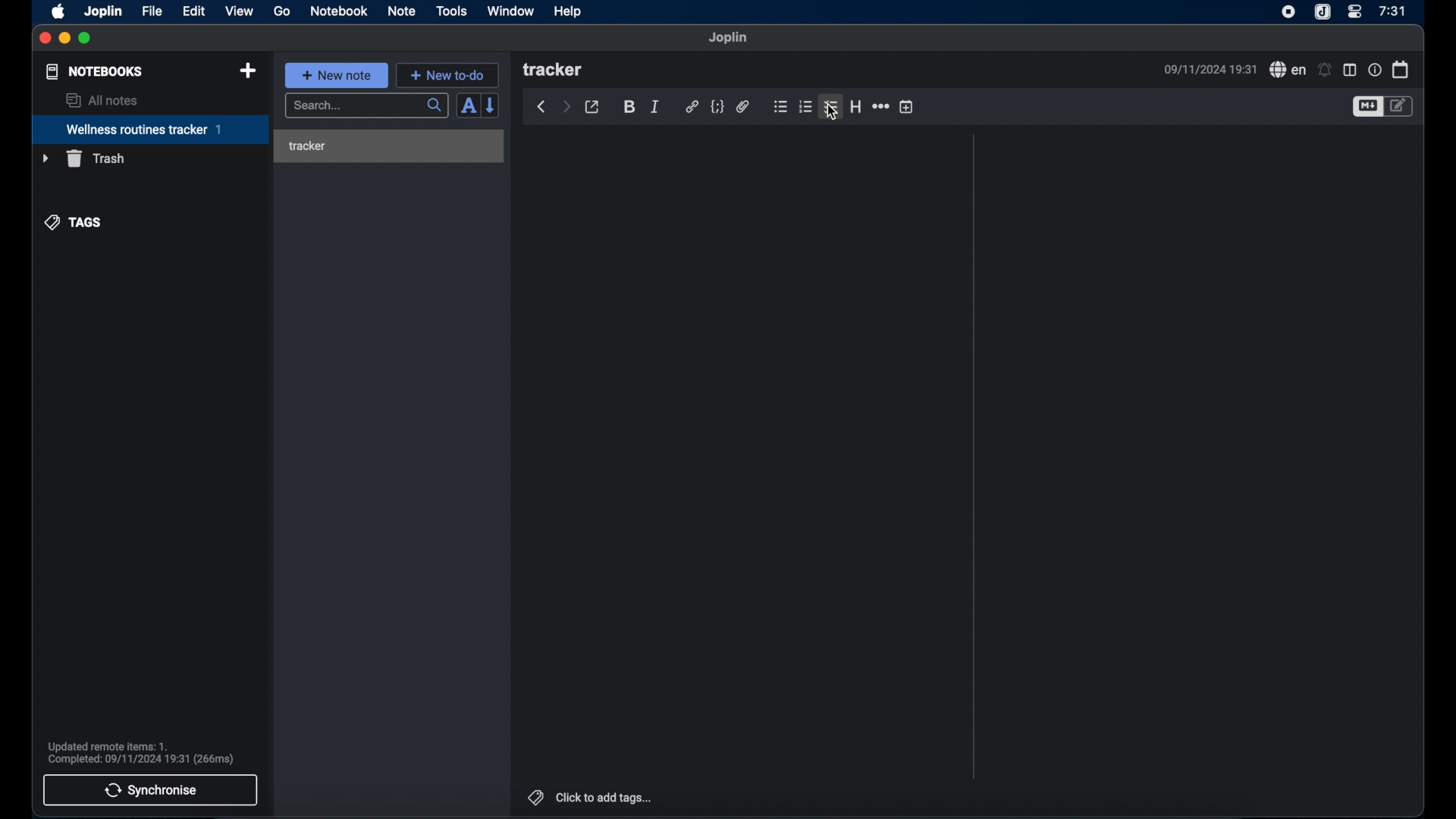  What do you see at coordinates (1355, 12) in the screenshot?
I see `control center` at bounding box center [1355, 12].